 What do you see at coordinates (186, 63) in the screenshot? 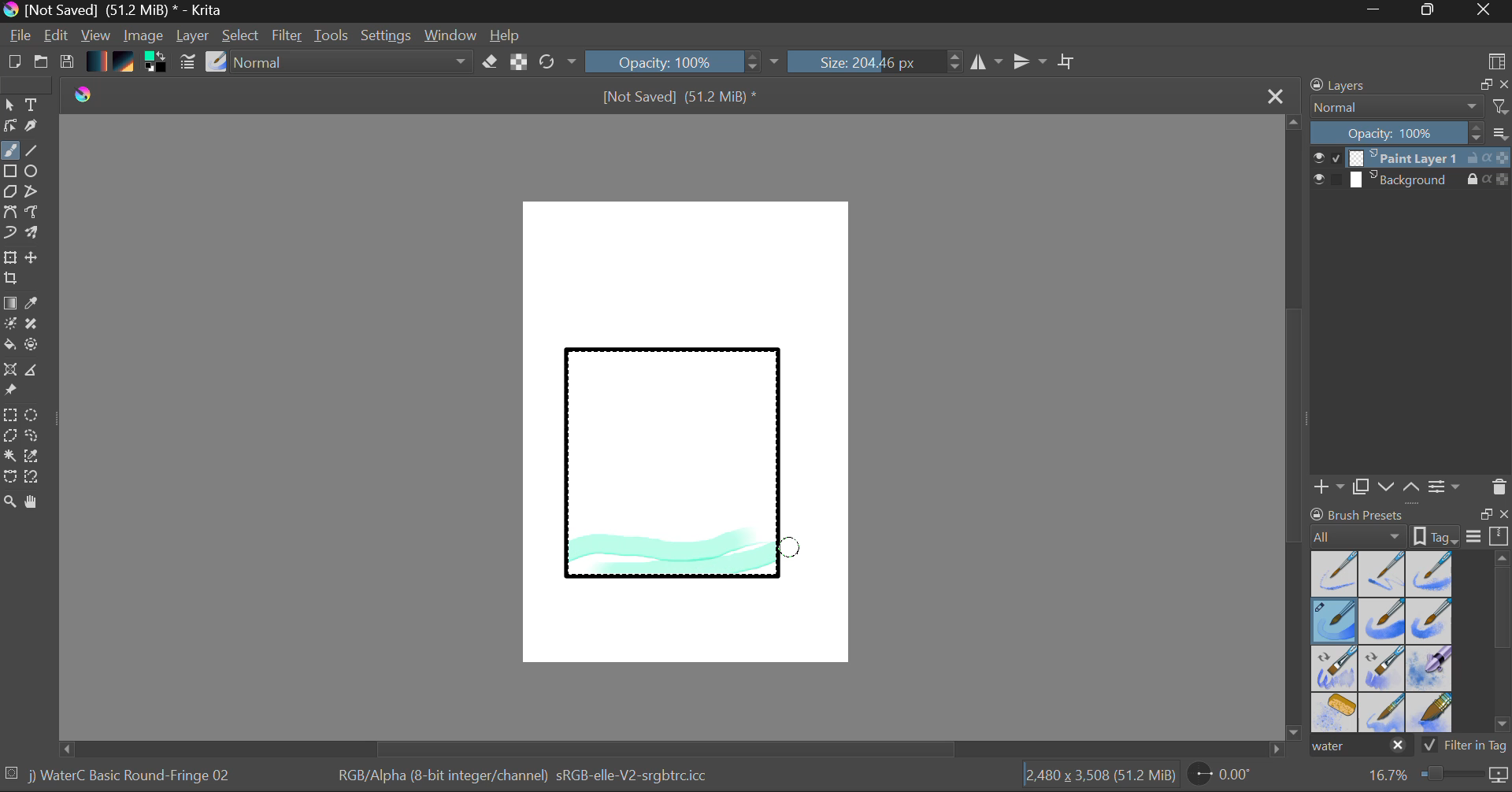
I see `Brush Settings` at bounding box center [186, 63].